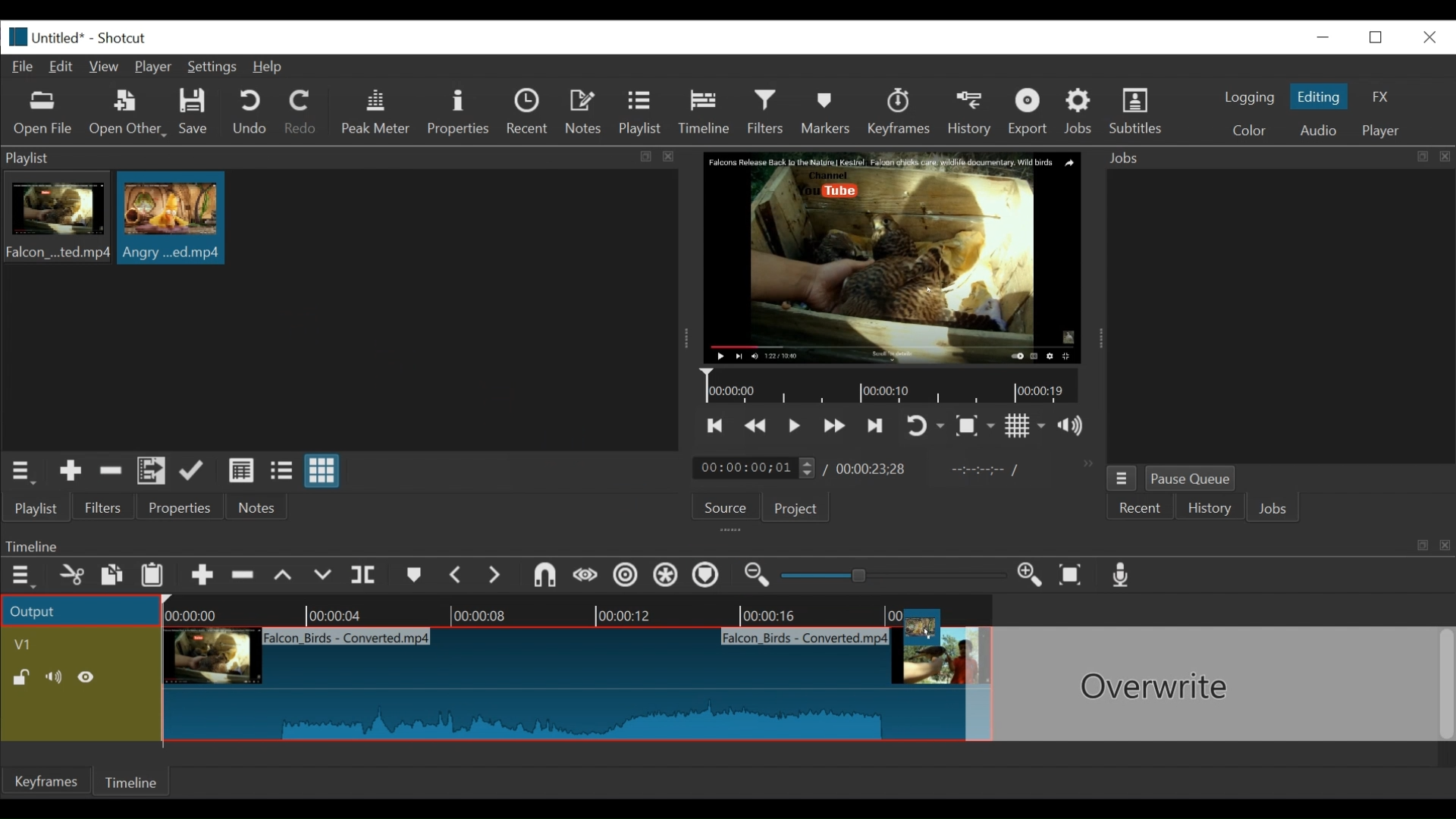 Image resolution: width=1456 pixels, height=819 pixels. What do you see at coordinates (1382, 131) in the screenshot?
I see `player` at bounding box center [1382, 131].